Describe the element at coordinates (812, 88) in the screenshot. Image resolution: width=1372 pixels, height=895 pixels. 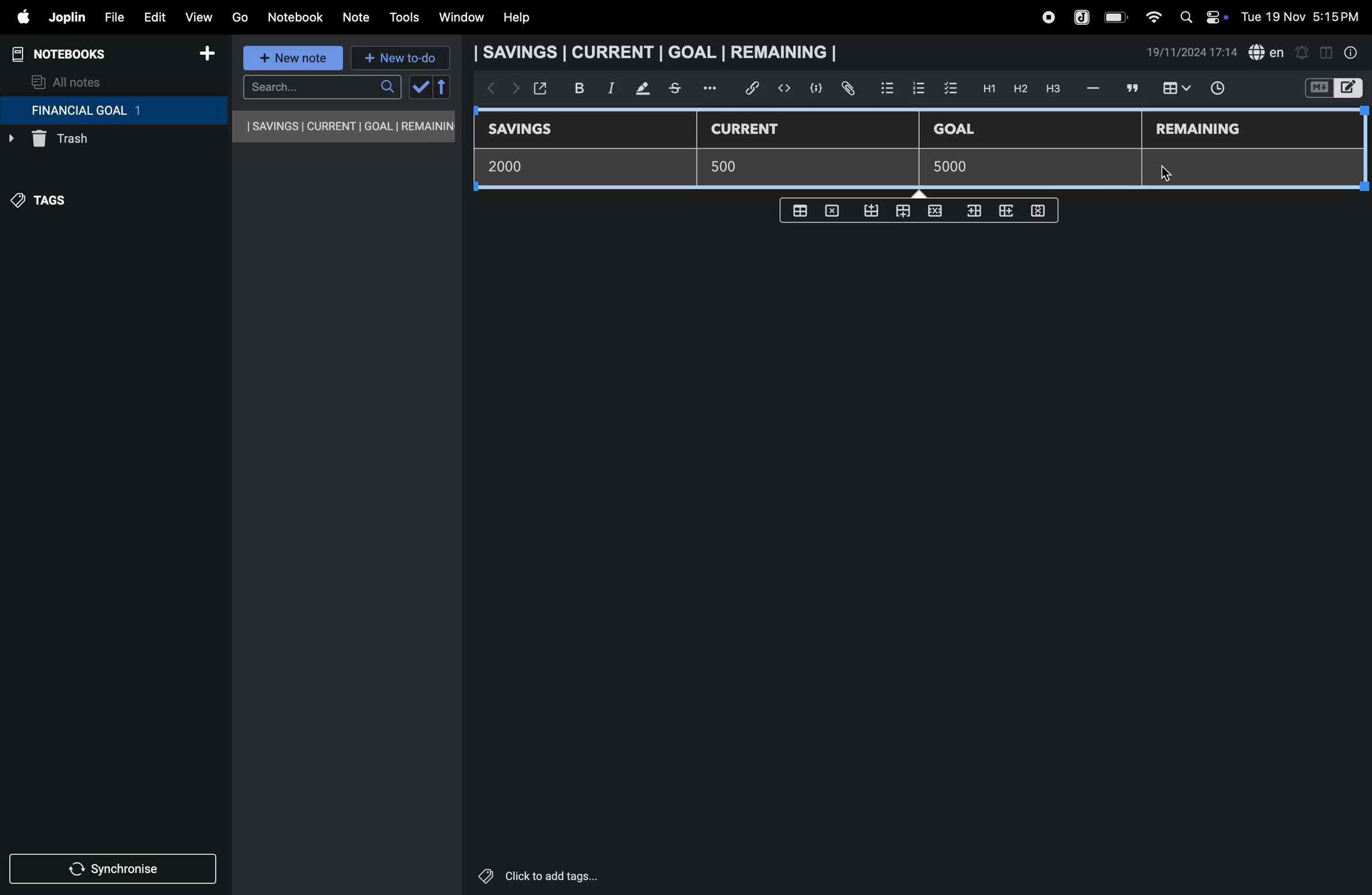
I see `code block` at that location.